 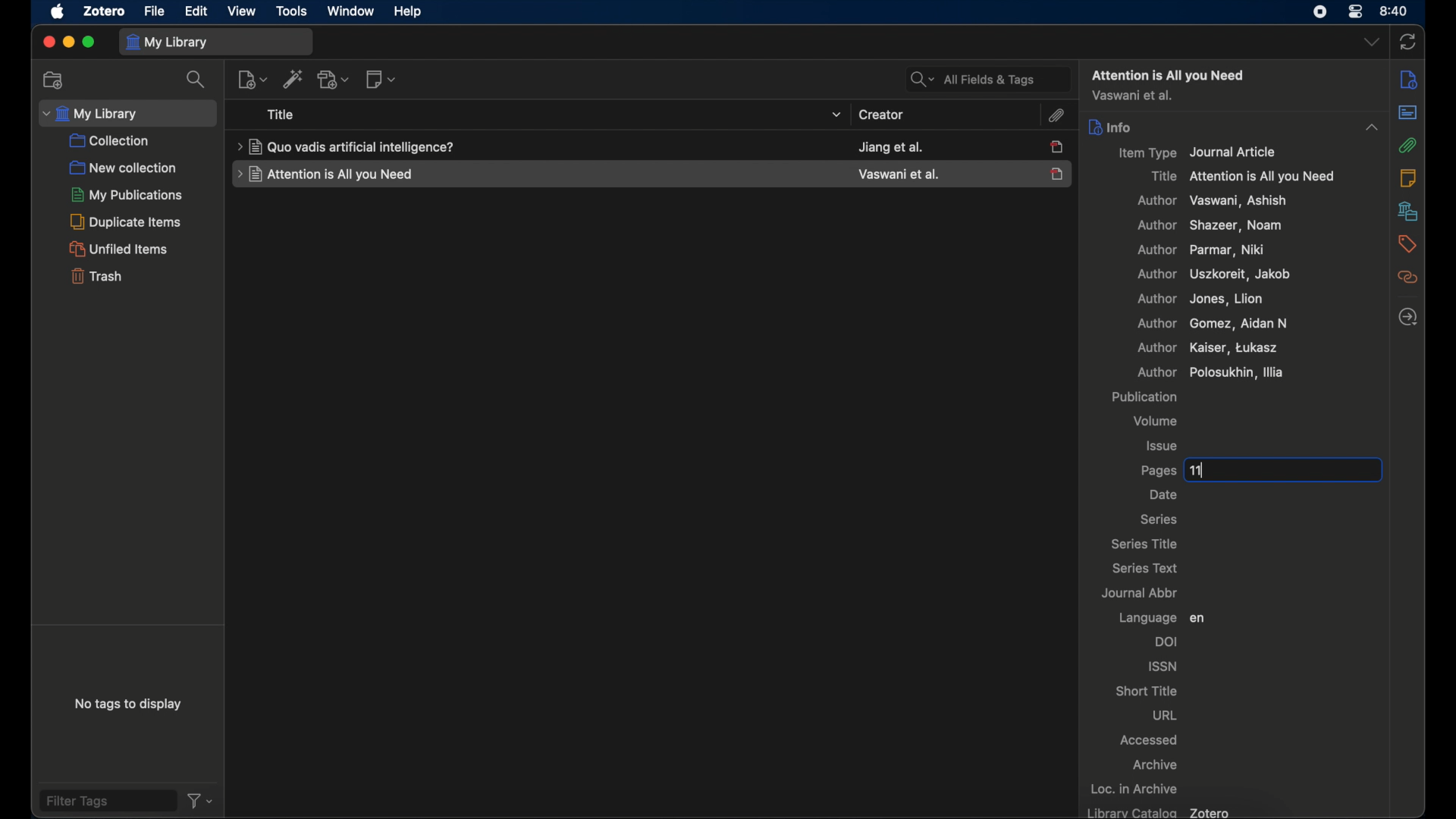 What do you see at coordinates (105, 12) in the screenshot?
I see `zotero` at bounding box center [105, 12].